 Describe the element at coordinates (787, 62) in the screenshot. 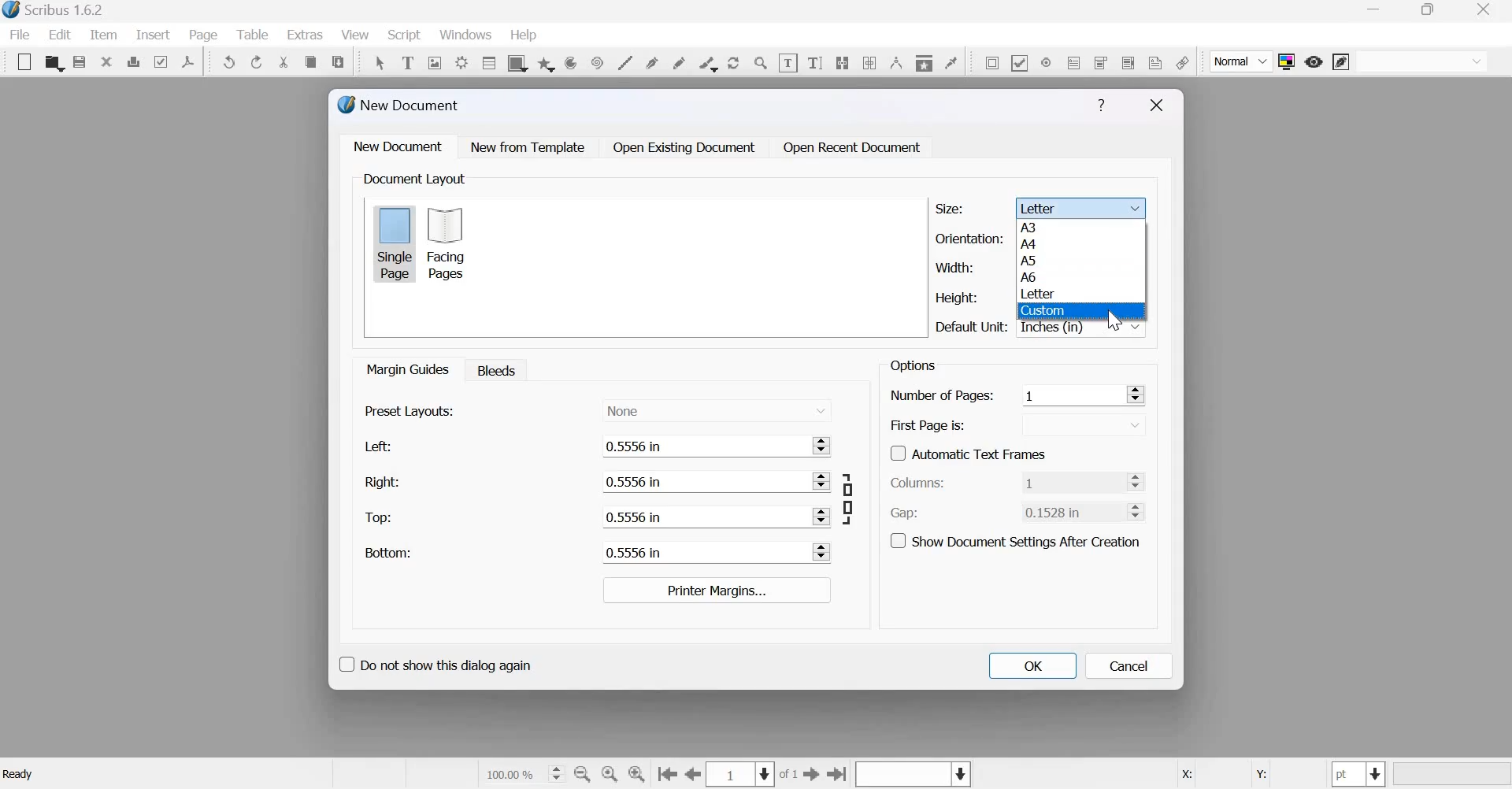

I see `edit contents of frame` at that location.